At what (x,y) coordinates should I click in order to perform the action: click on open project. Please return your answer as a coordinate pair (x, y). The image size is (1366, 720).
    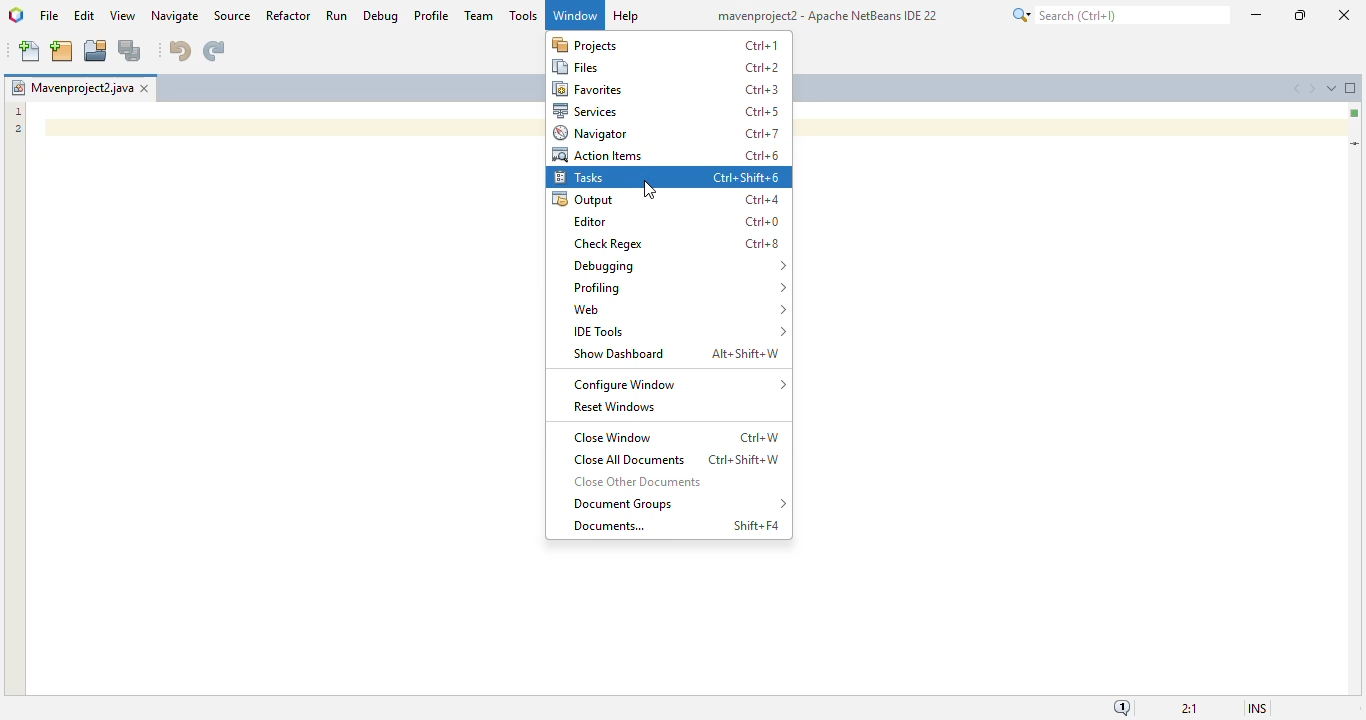
    Looking at the image, I should click on (95, 51).